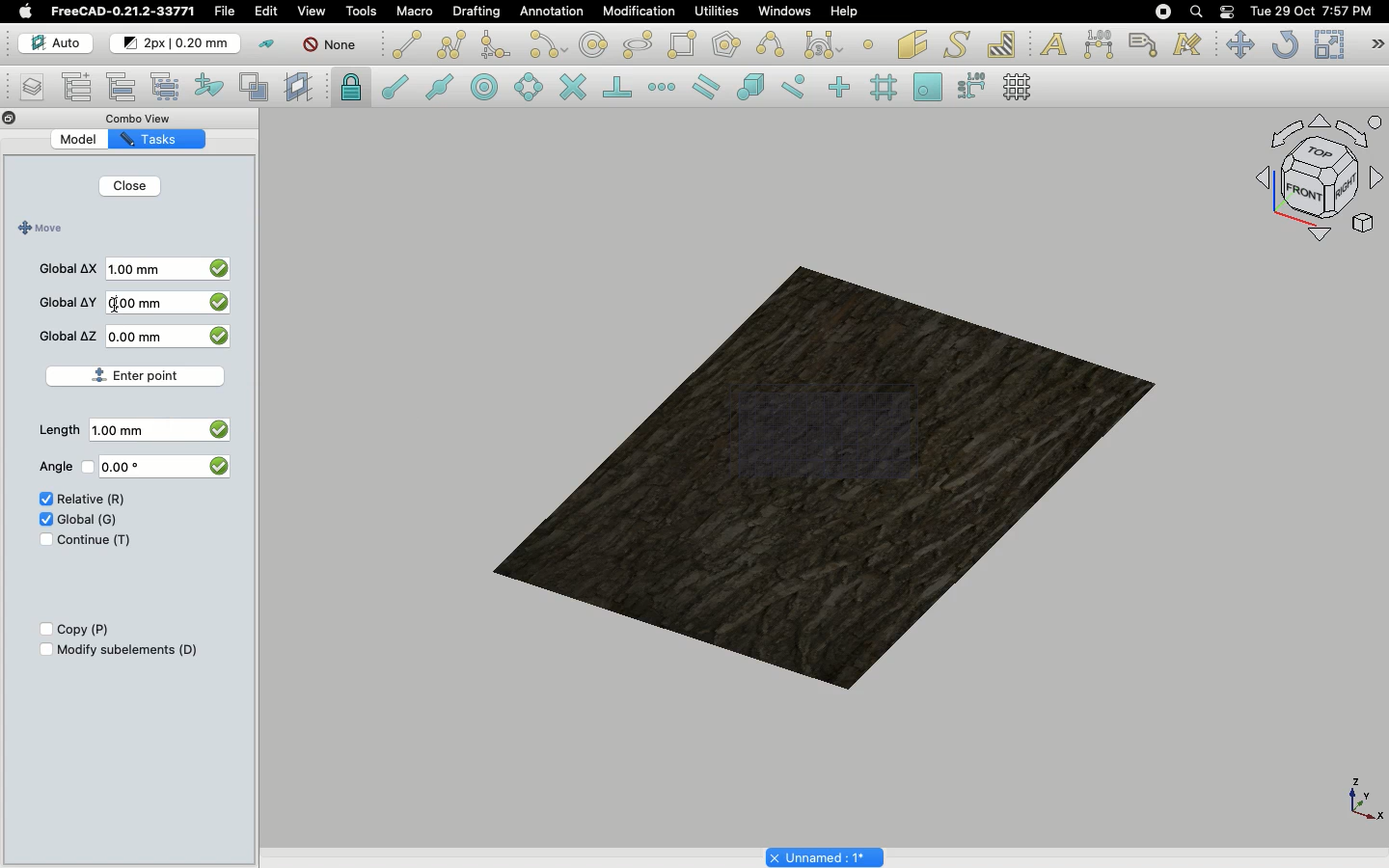 This screenshot has height=868, width=1389. Describe the element at coordinates (494, 47) in the screenshot. I see `Fillet` at that location.